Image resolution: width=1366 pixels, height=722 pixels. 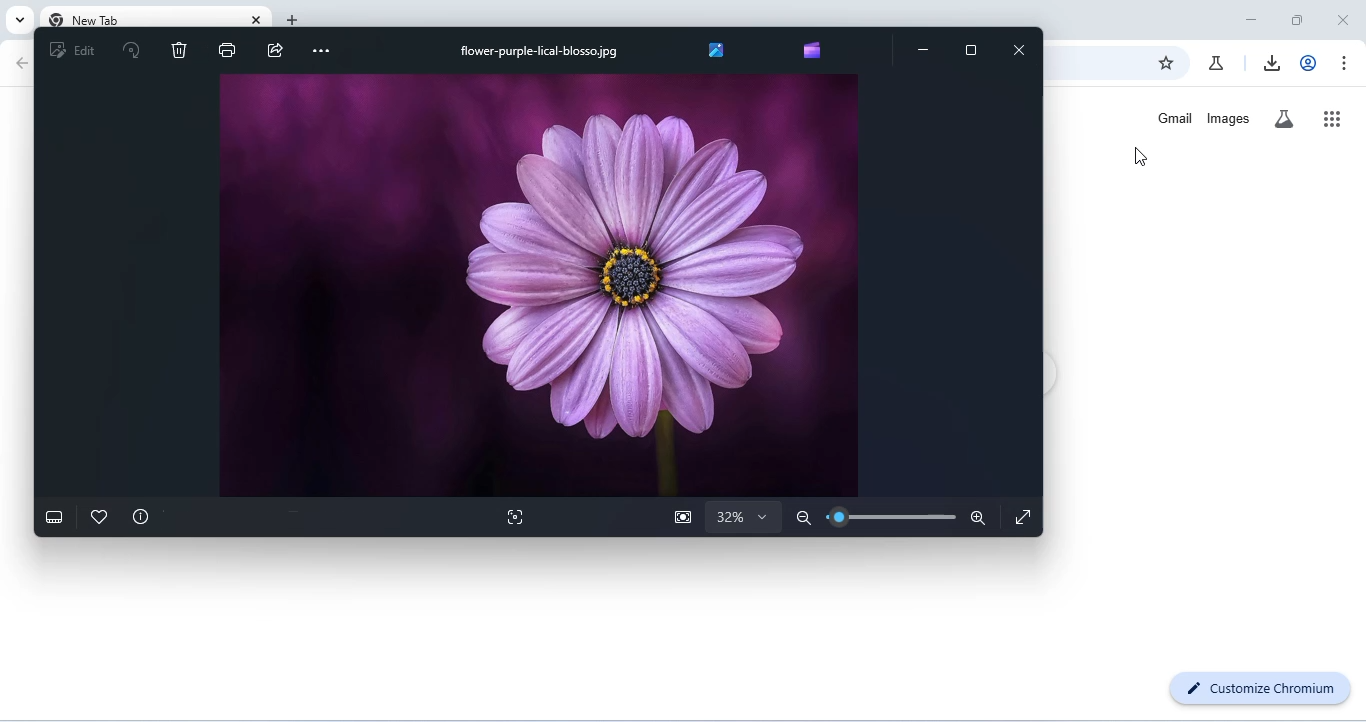 What do you see at coordinates (1284, 119) in the screenshot?
I see `search labs` at bounding box center [1284, 119].